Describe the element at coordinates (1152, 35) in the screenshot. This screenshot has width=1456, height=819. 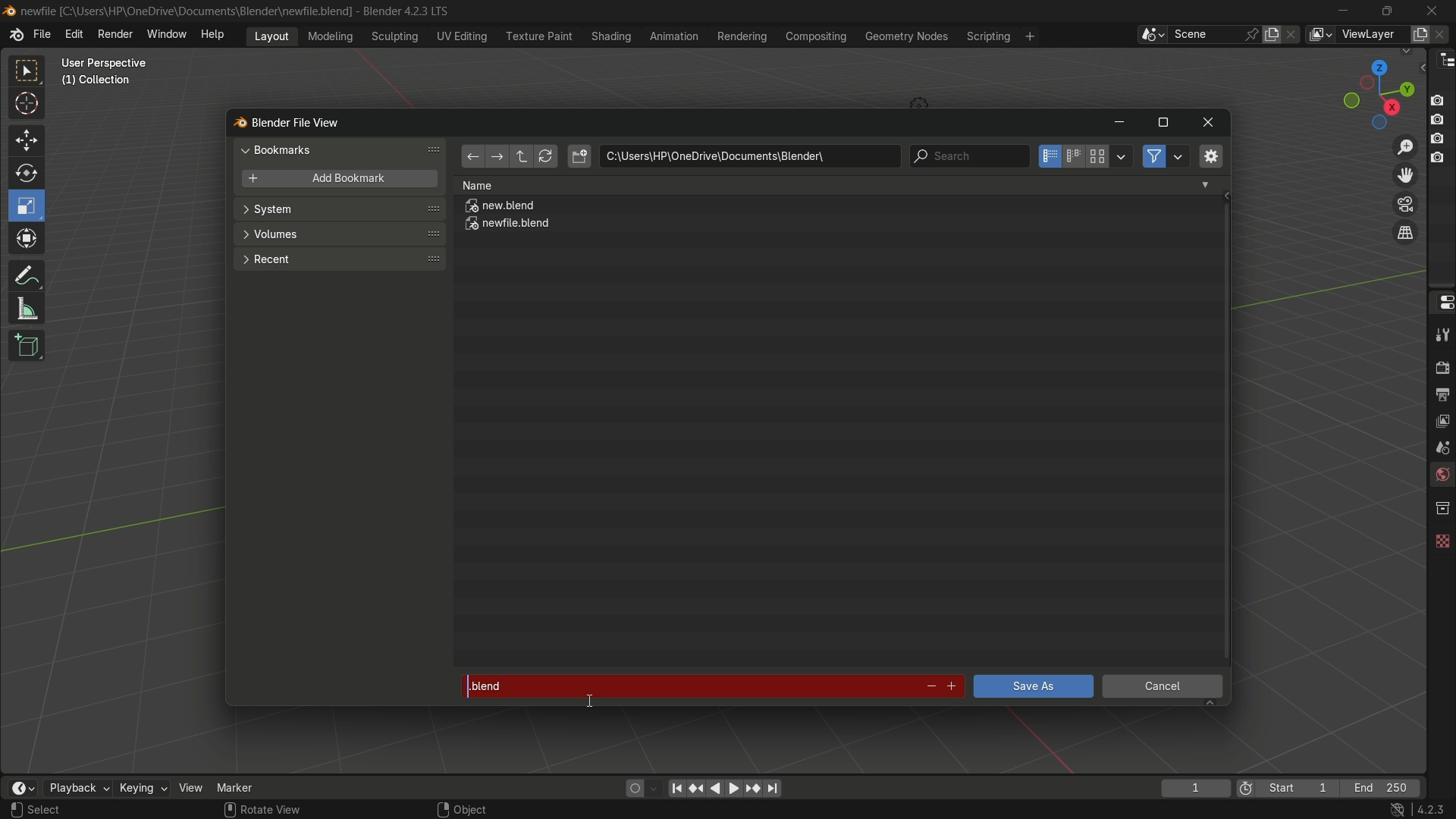
I see `browse scenes` at that location.